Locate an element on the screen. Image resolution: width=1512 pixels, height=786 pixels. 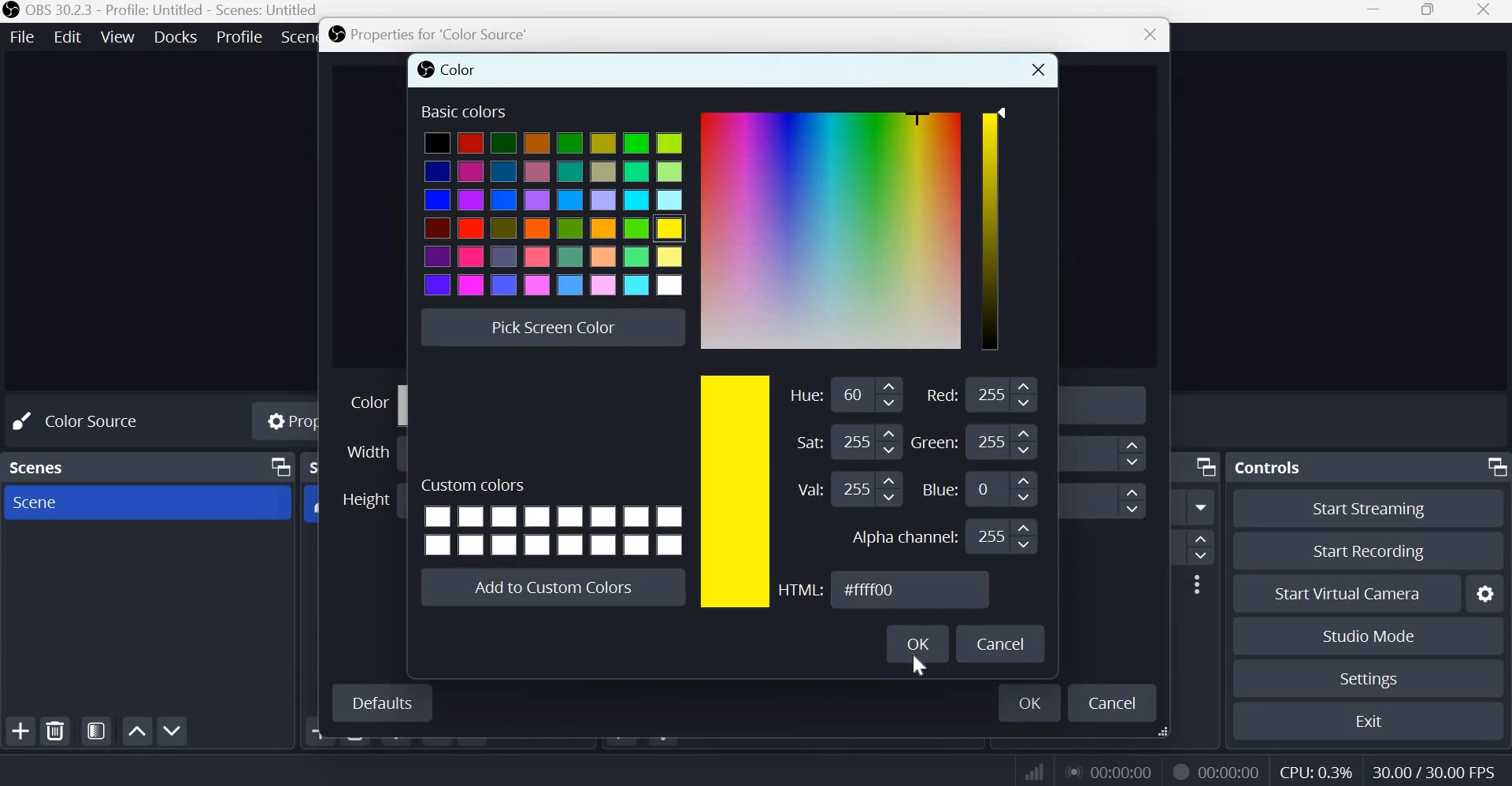
Width is located at coordinates (365, 450).